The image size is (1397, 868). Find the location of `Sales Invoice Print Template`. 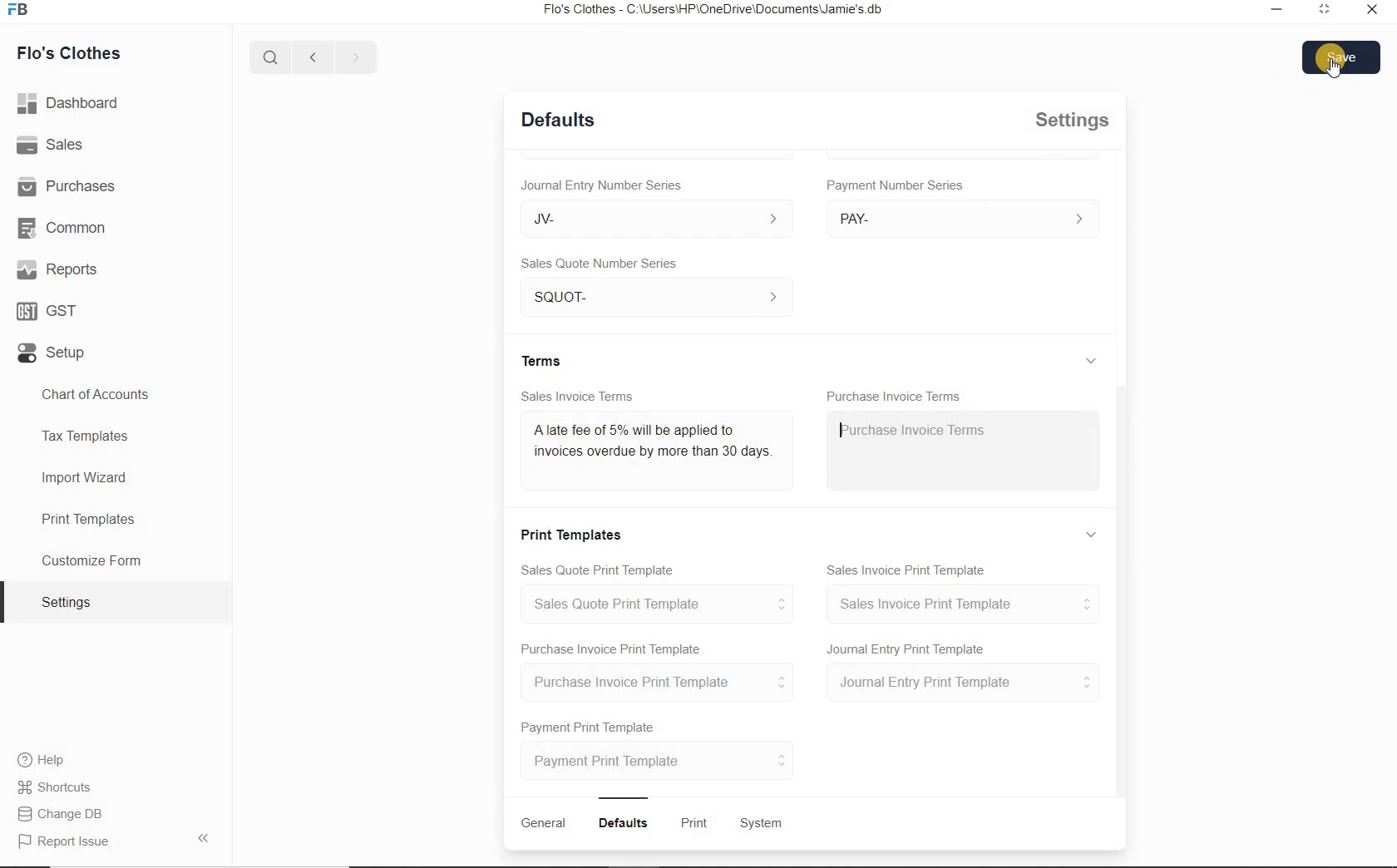

Sales Invoice Print Template is located at coordinates (964, 604).